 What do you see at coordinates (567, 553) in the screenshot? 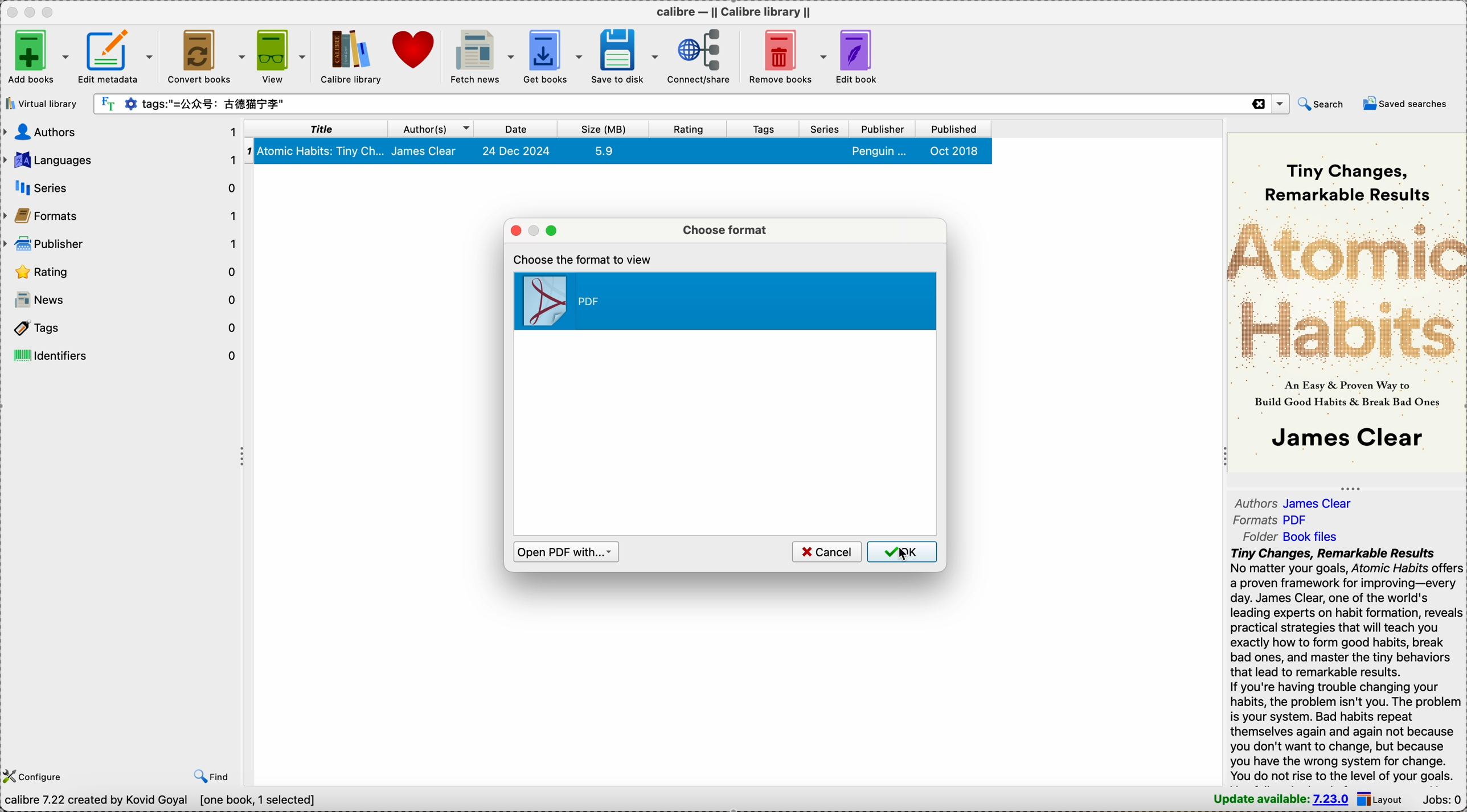
I see `open PDF with` at bounding box center [567, 553].